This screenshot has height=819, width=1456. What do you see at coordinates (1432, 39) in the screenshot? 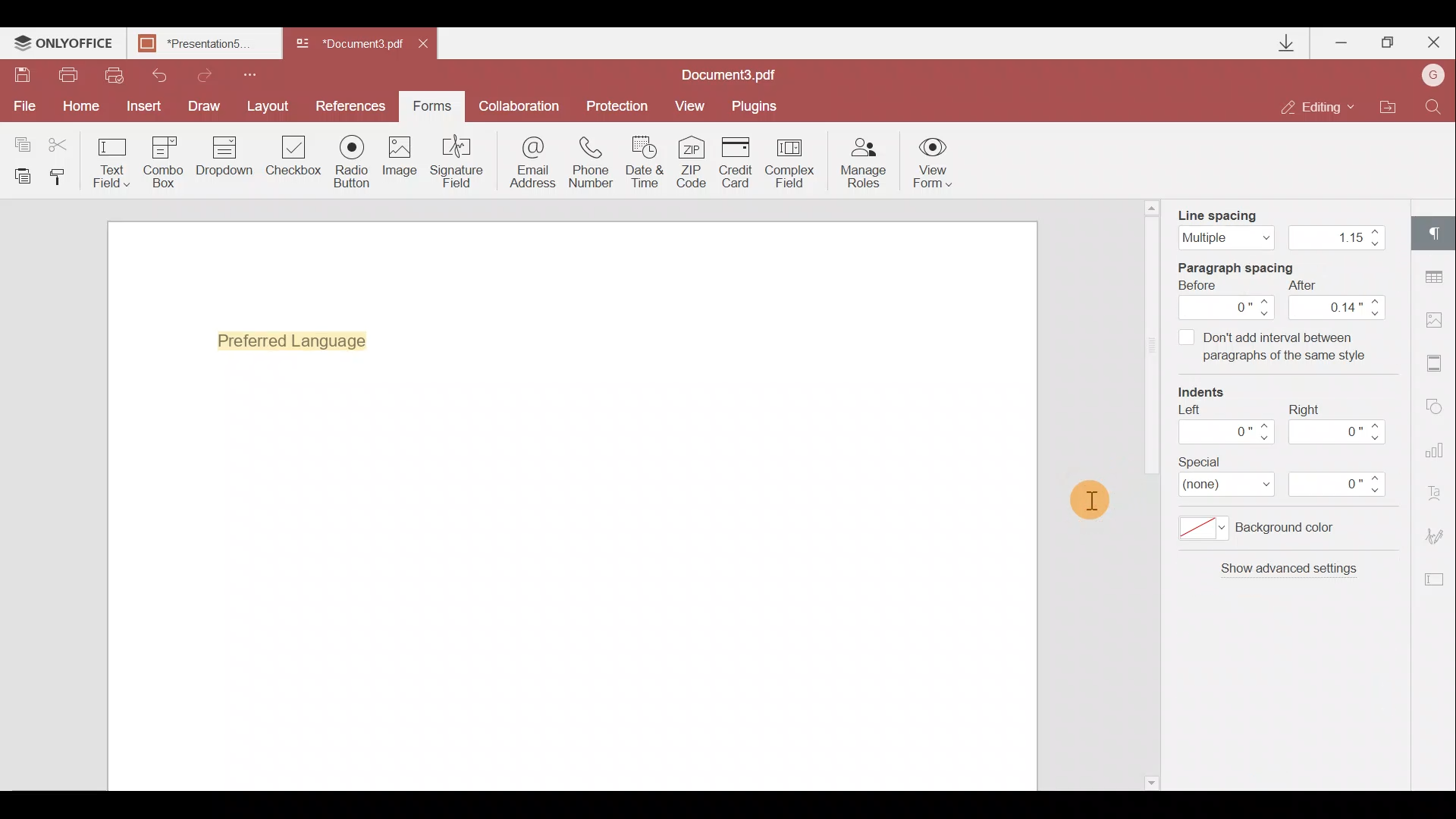
I see `Close` at bounding box center [1432, 39].